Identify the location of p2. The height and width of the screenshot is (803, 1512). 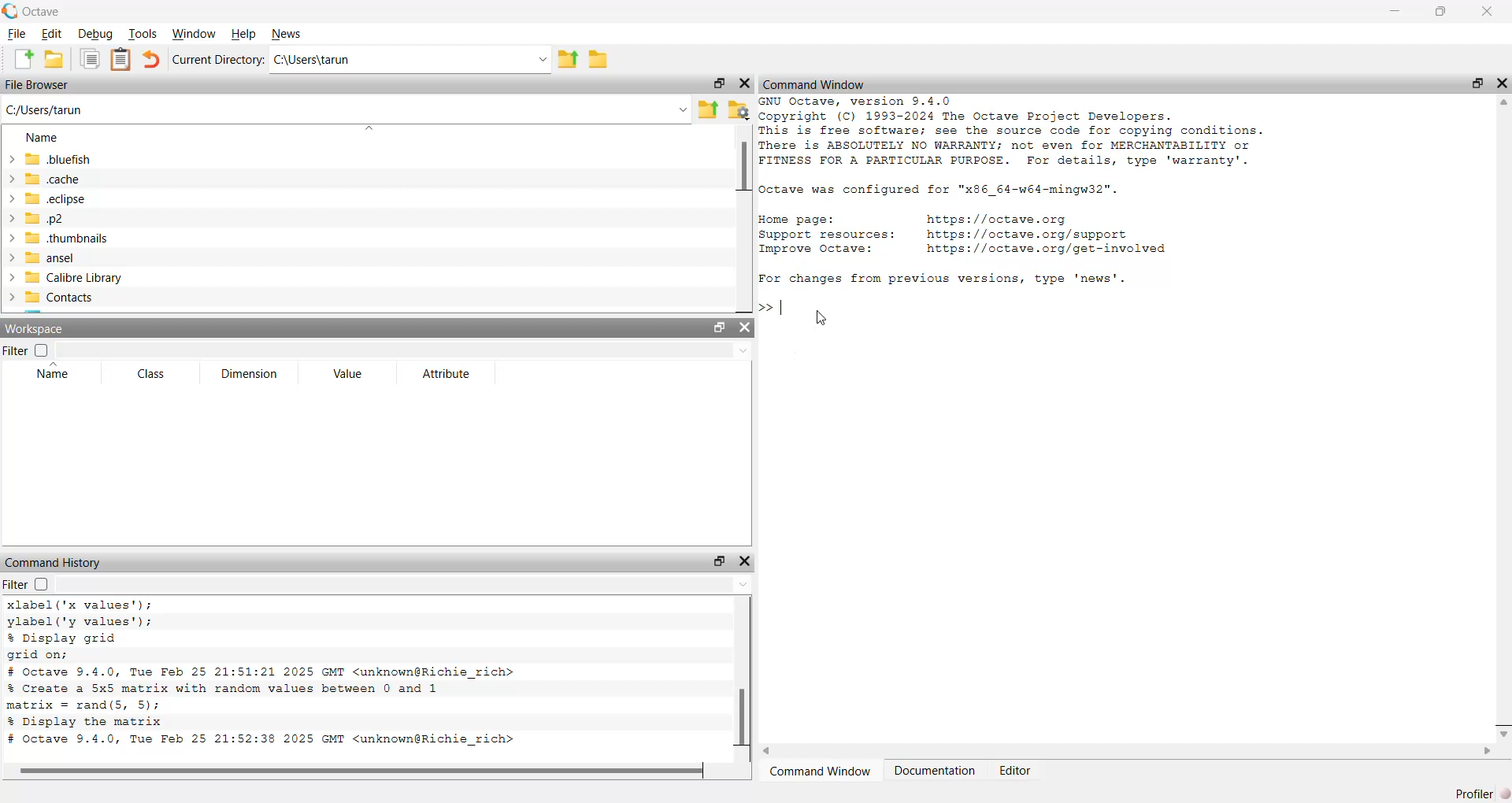
(46, 219).